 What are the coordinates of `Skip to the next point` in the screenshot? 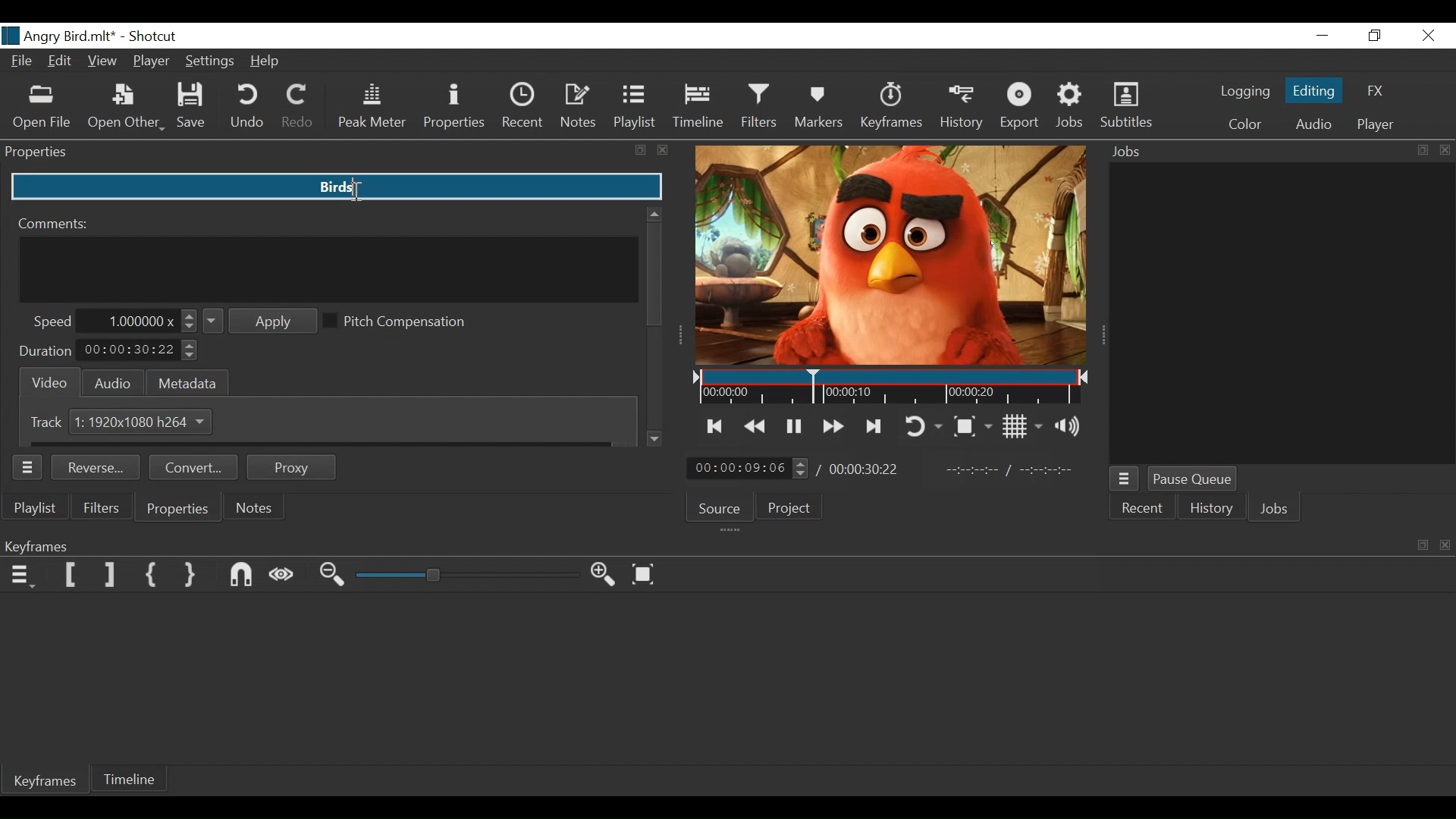 It's located at (716, 426).